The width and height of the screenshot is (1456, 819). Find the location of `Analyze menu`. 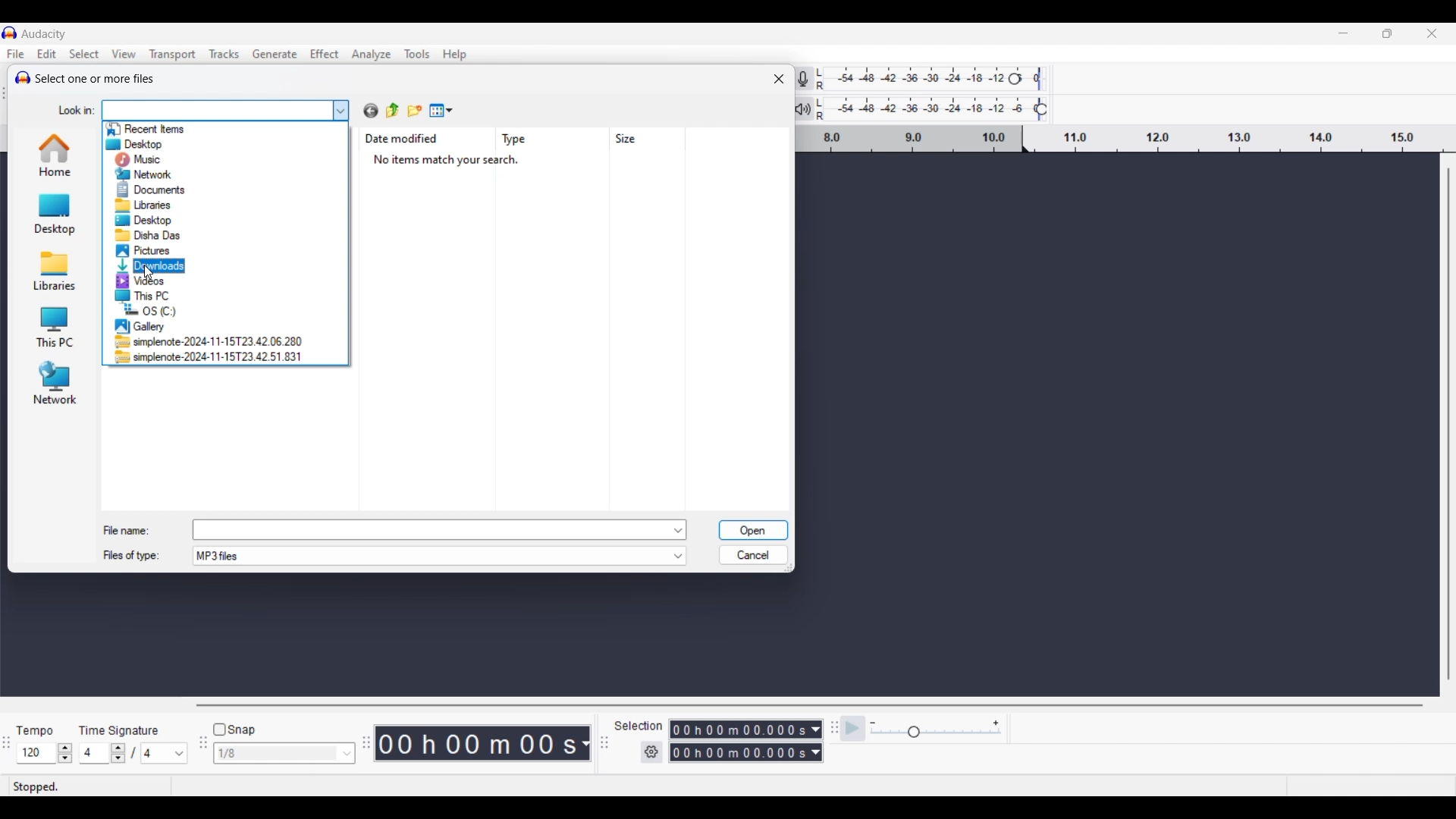

Analyze menu is located at coordinates (371, 55).